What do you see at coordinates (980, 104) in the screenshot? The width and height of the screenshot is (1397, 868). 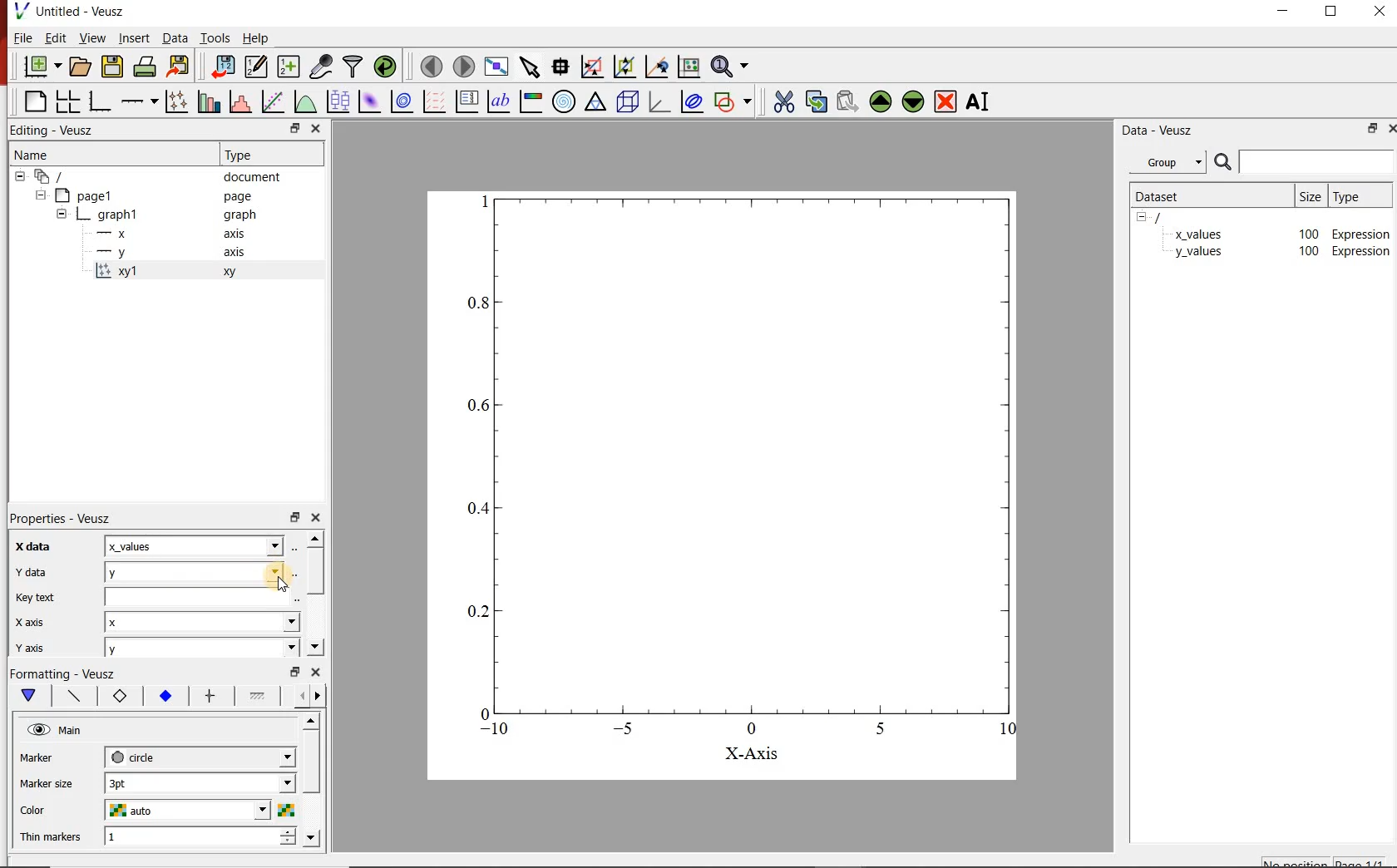 I see `rename the selected widget` at bounding box center [980, 104].